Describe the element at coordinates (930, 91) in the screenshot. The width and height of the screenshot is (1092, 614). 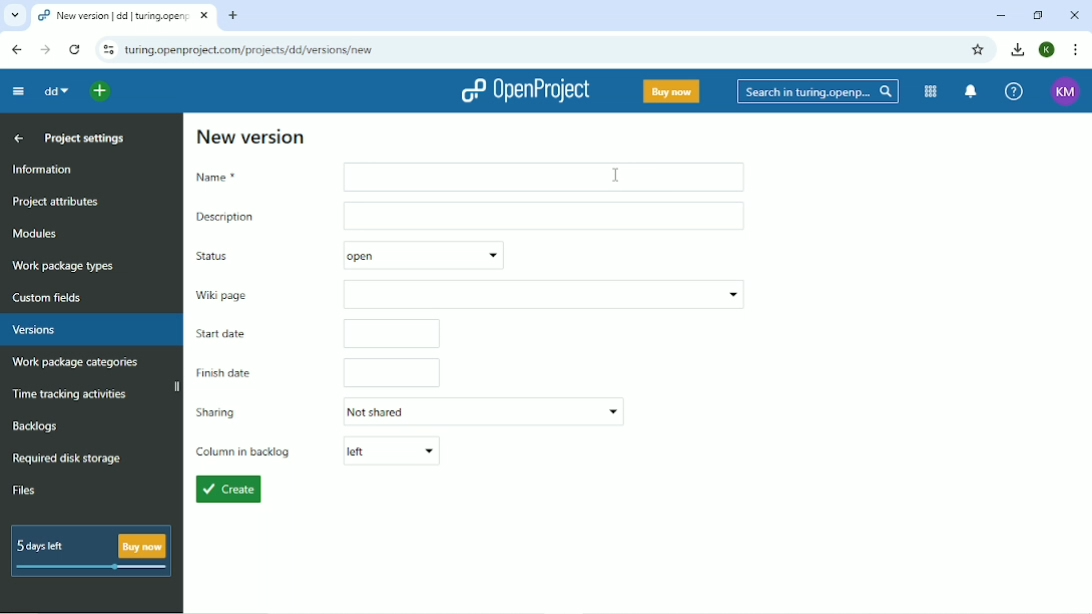
I see `Modules` at that location.